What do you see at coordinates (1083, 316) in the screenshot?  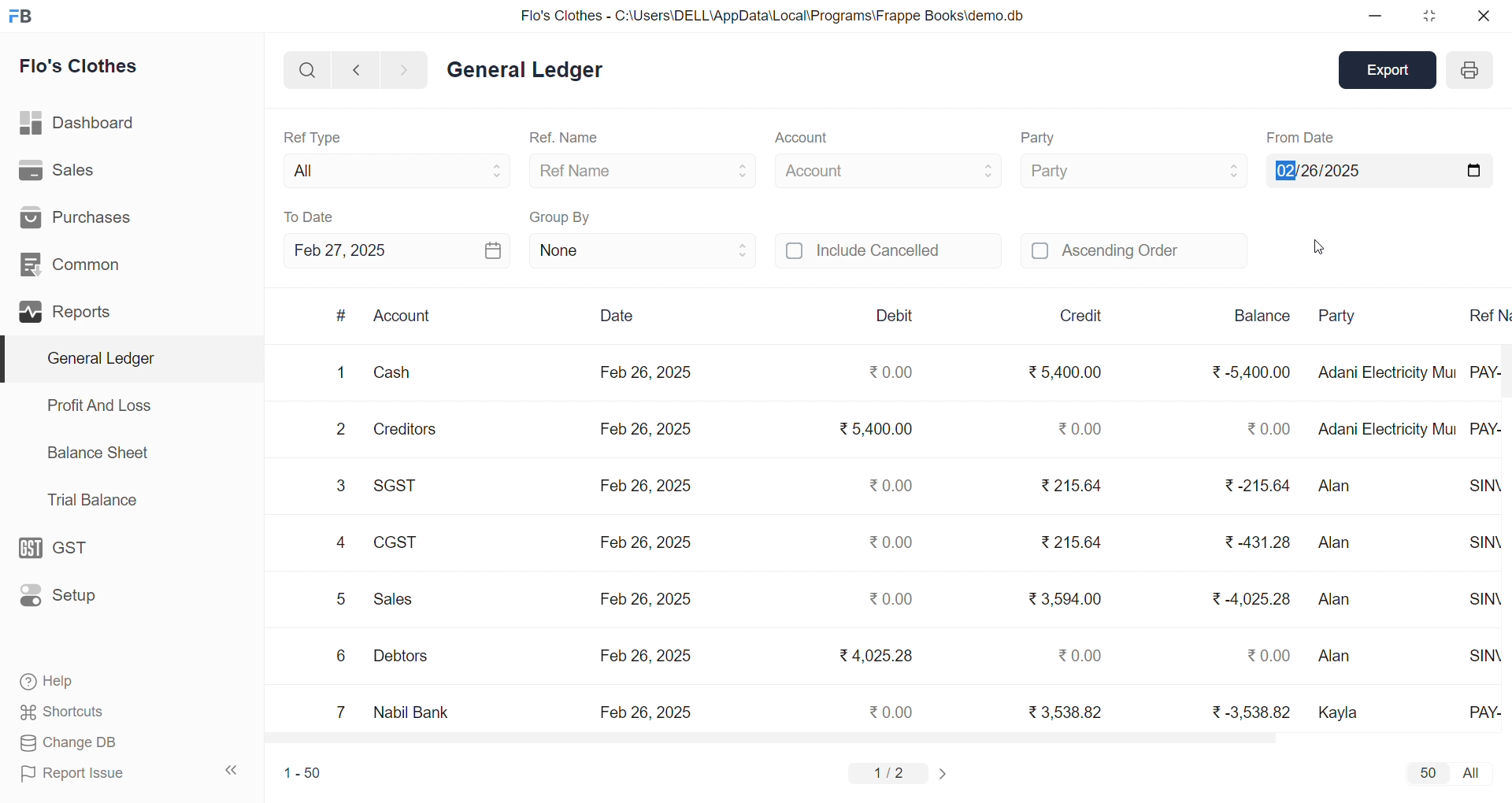 I see `Credit` at bounding box center [1083, 316].